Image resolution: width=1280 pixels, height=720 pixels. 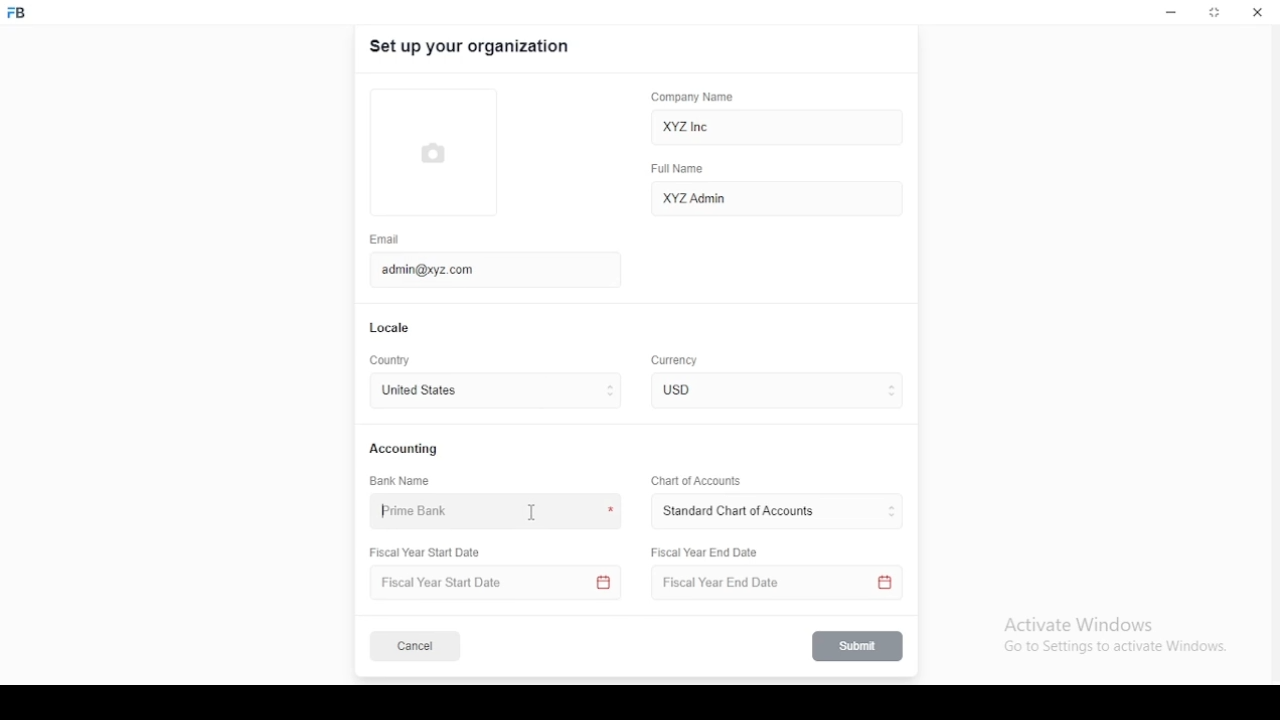 I want to click on email, so click(x=385, y=239).